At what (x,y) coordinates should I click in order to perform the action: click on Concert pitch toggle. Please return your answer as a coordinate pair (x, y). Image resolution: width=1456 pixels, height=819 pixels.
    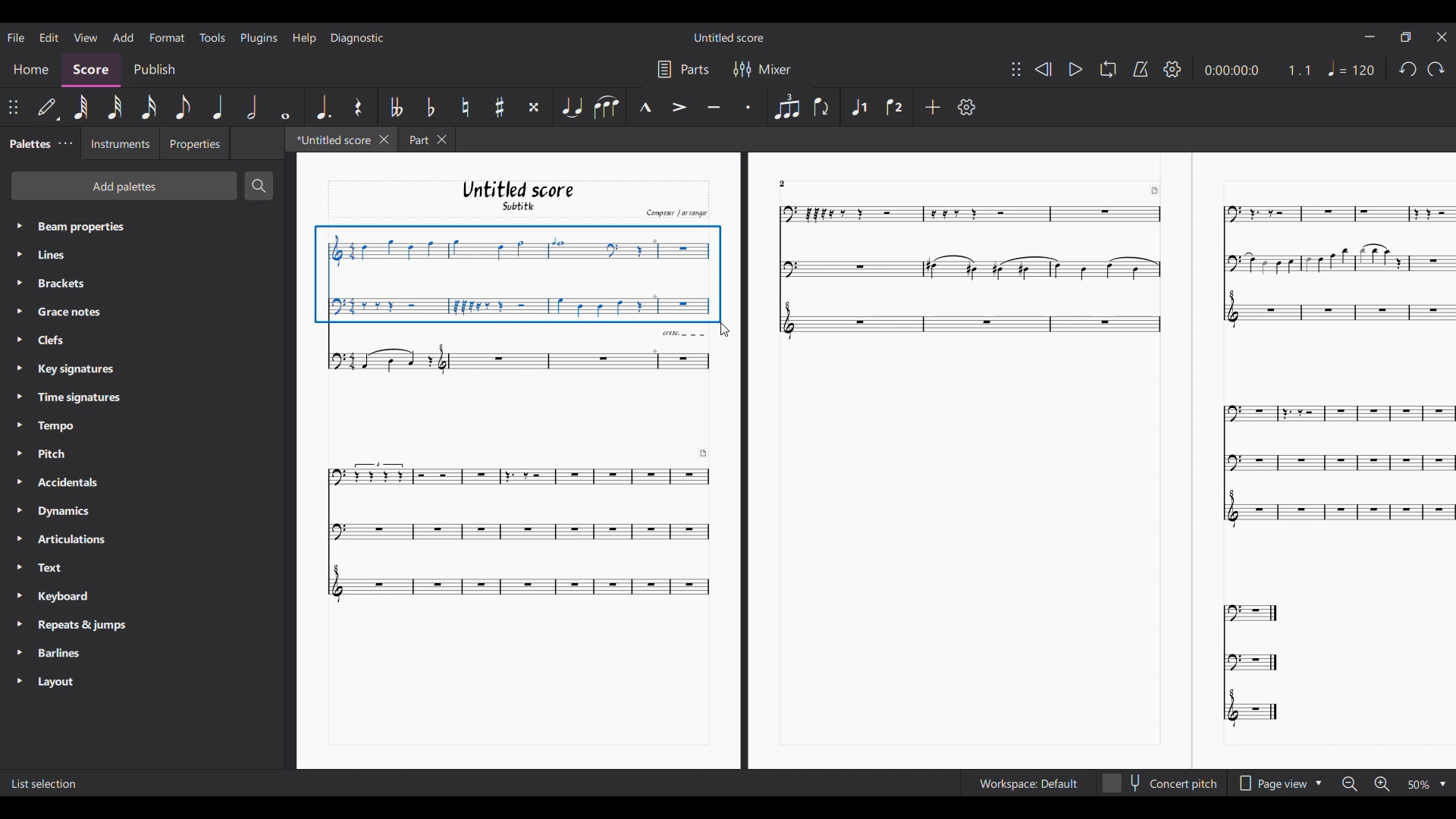
    Looking at the image, I should click on (1160, 783).